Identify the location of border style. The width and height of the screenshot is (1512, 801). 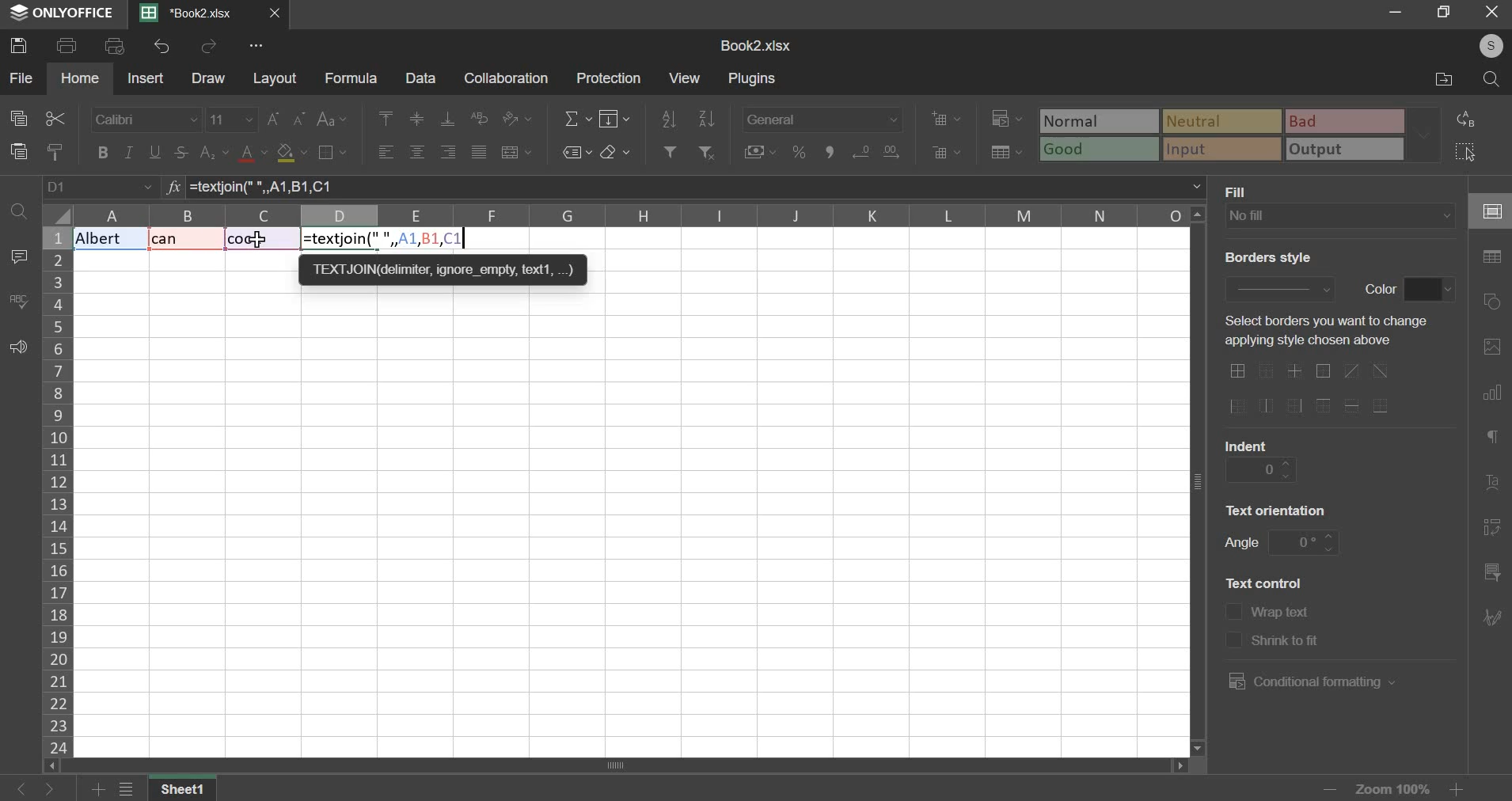
(1278, 287).